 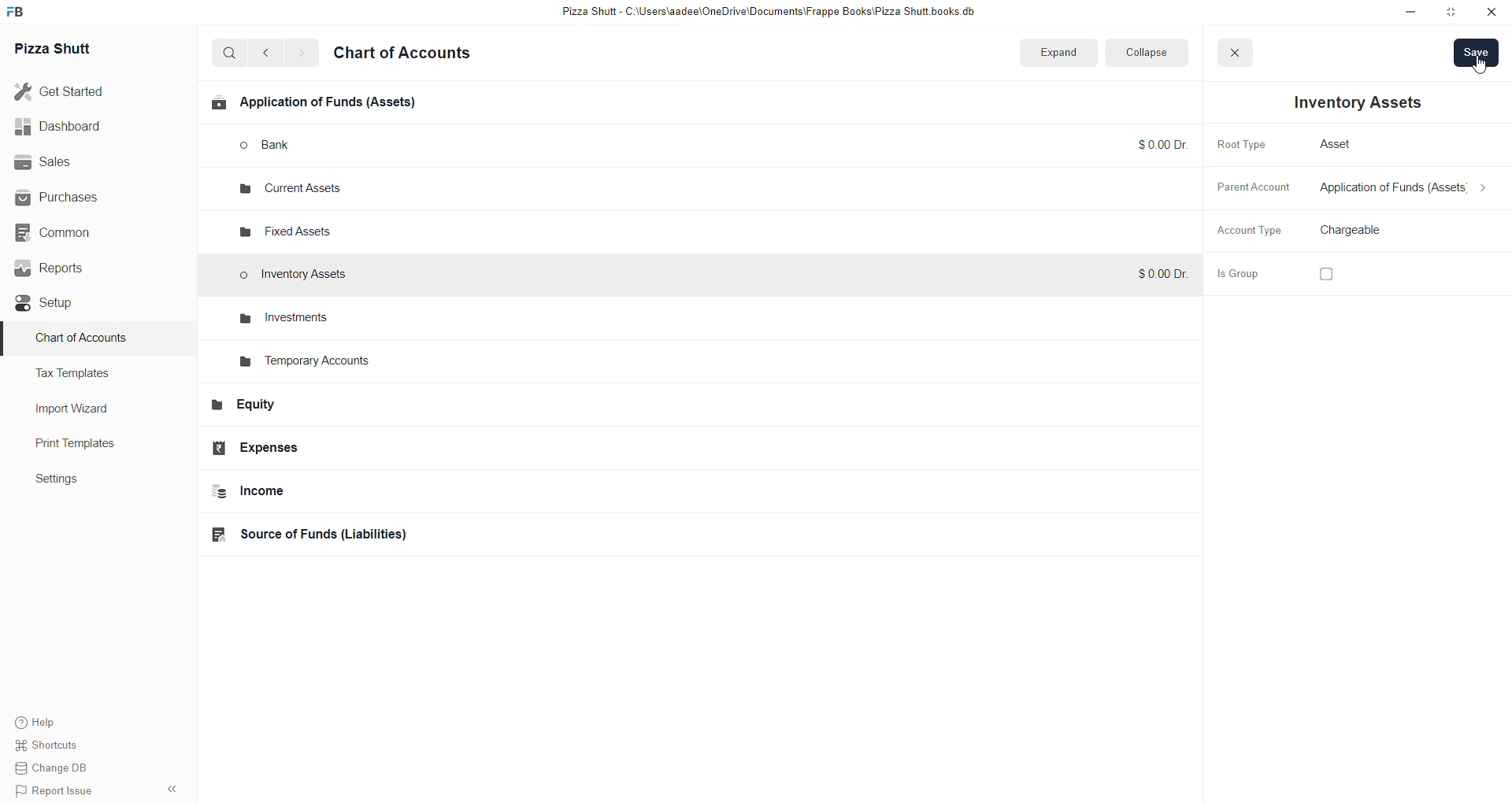 I want to click on Chart of accounts, so click(x=413, y=55).